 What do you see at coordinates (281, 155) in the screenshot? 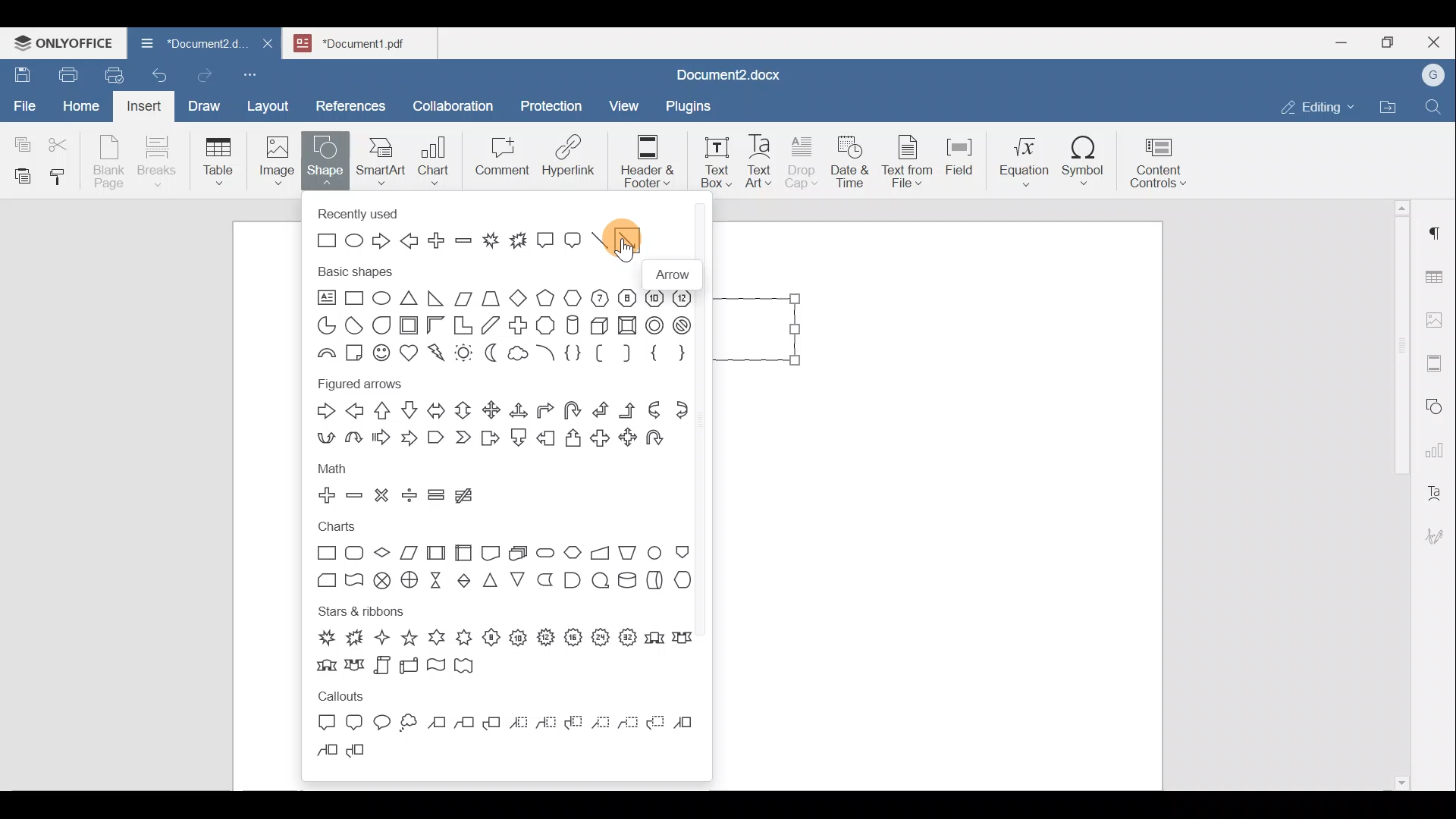
I see `Image` at bounding box center [281, 155].